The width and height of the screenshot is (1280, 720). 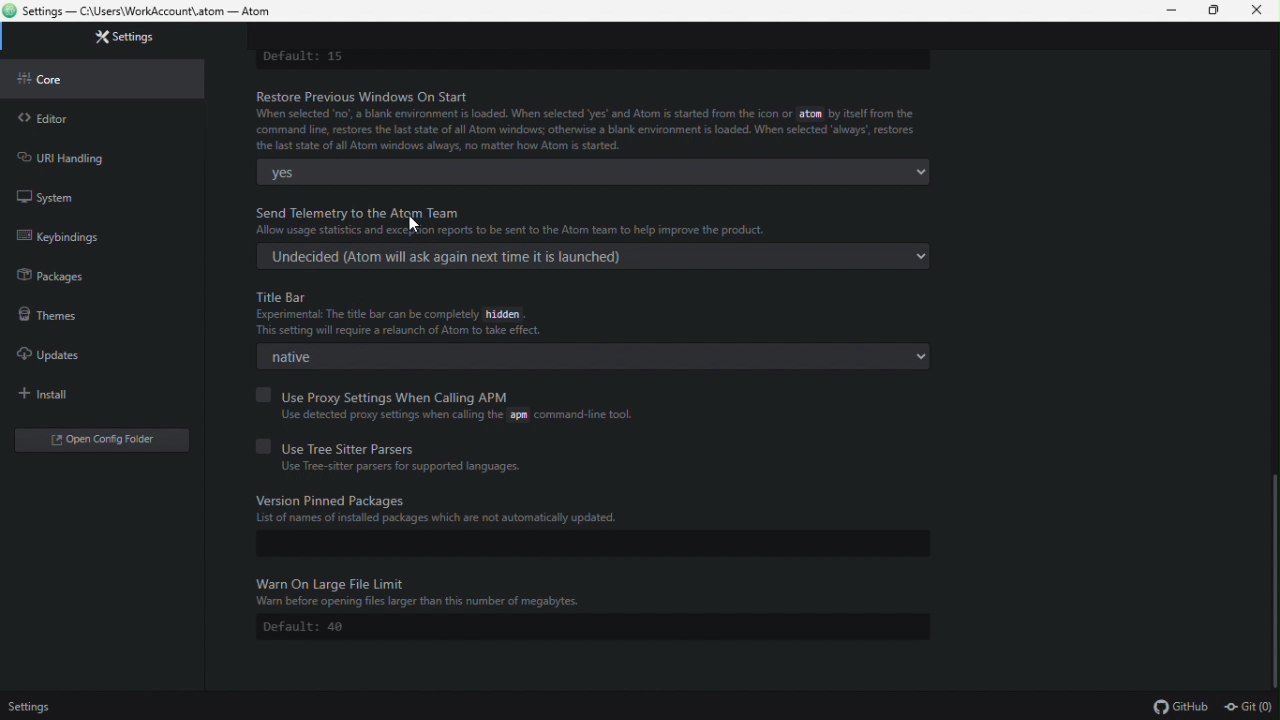 What do you see at coordinates (62, 235) in the screenshot?
I see `key bindings` at bounding box center [62, 235].